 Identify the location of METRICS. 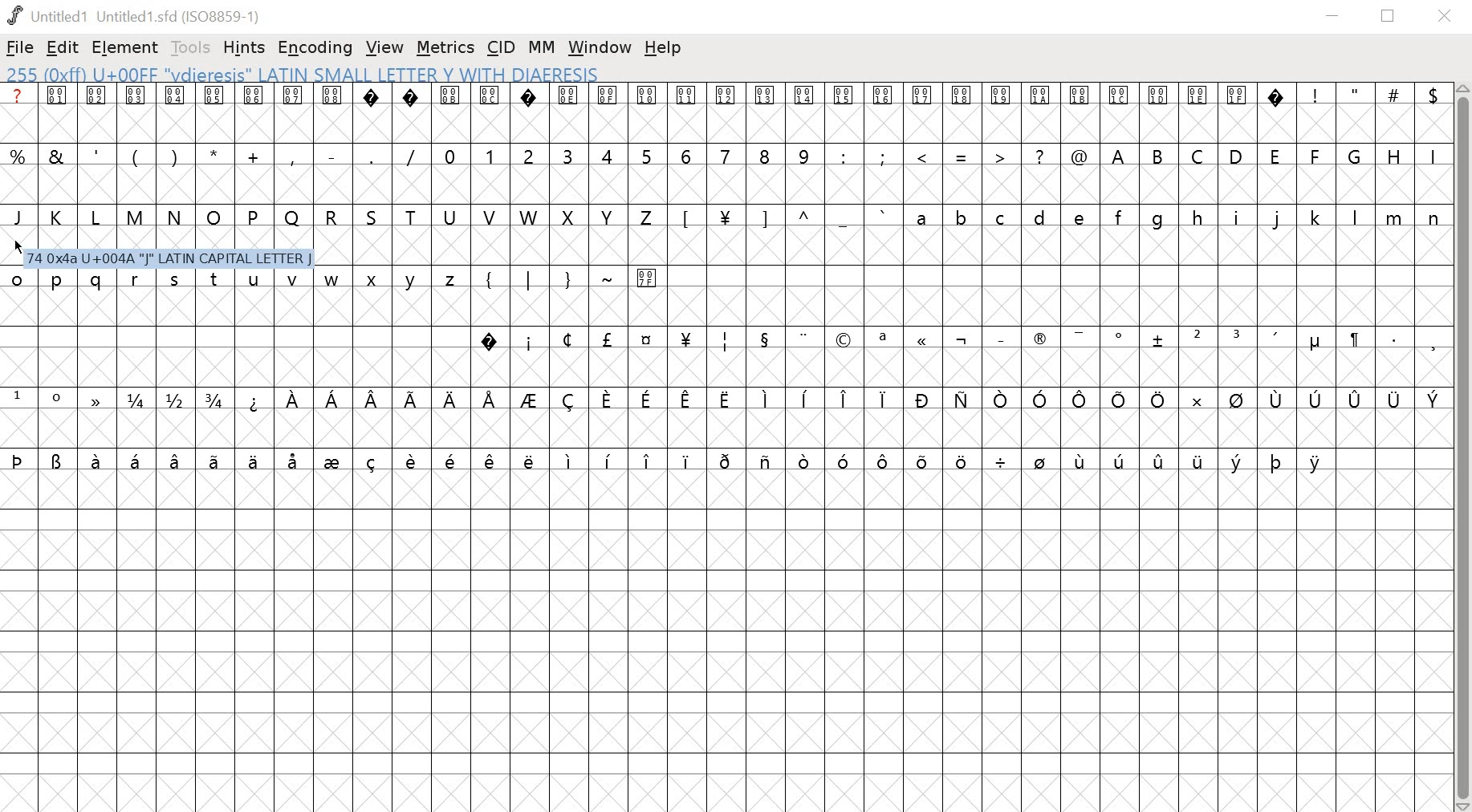
(445, 49).